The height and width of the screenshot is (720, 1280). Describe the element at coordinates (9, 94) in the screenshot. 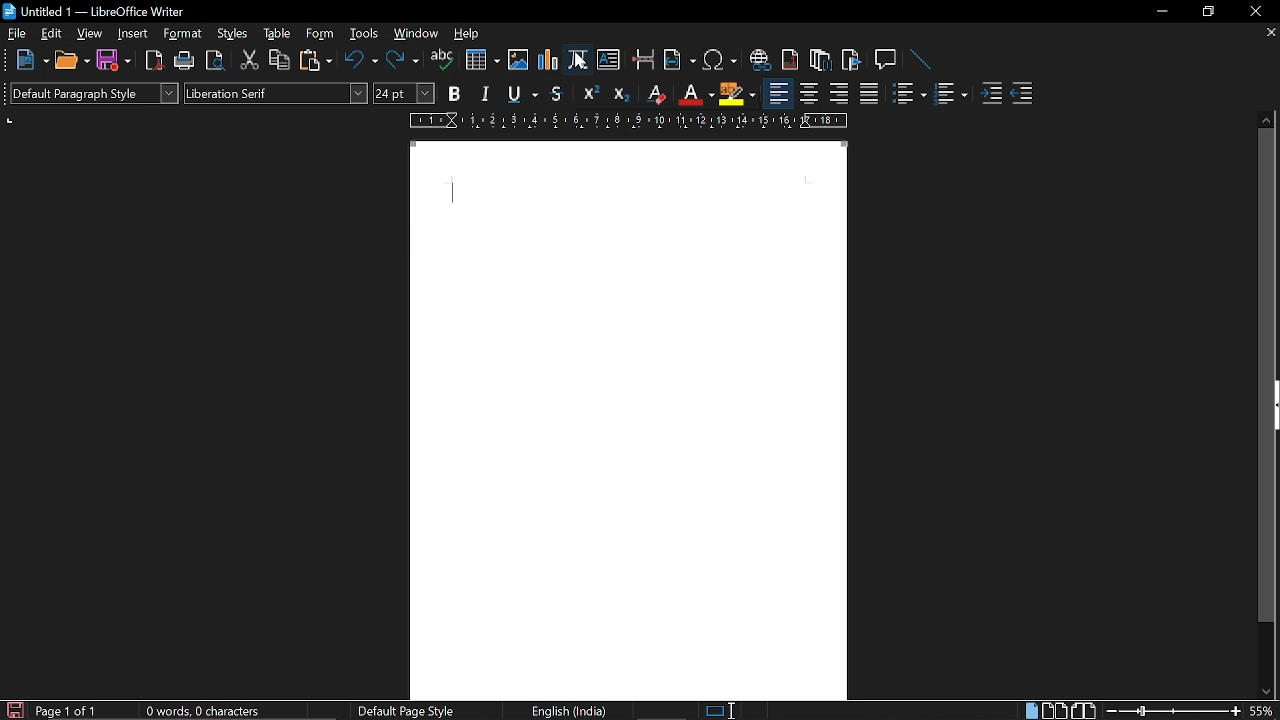

I see `` at that location.